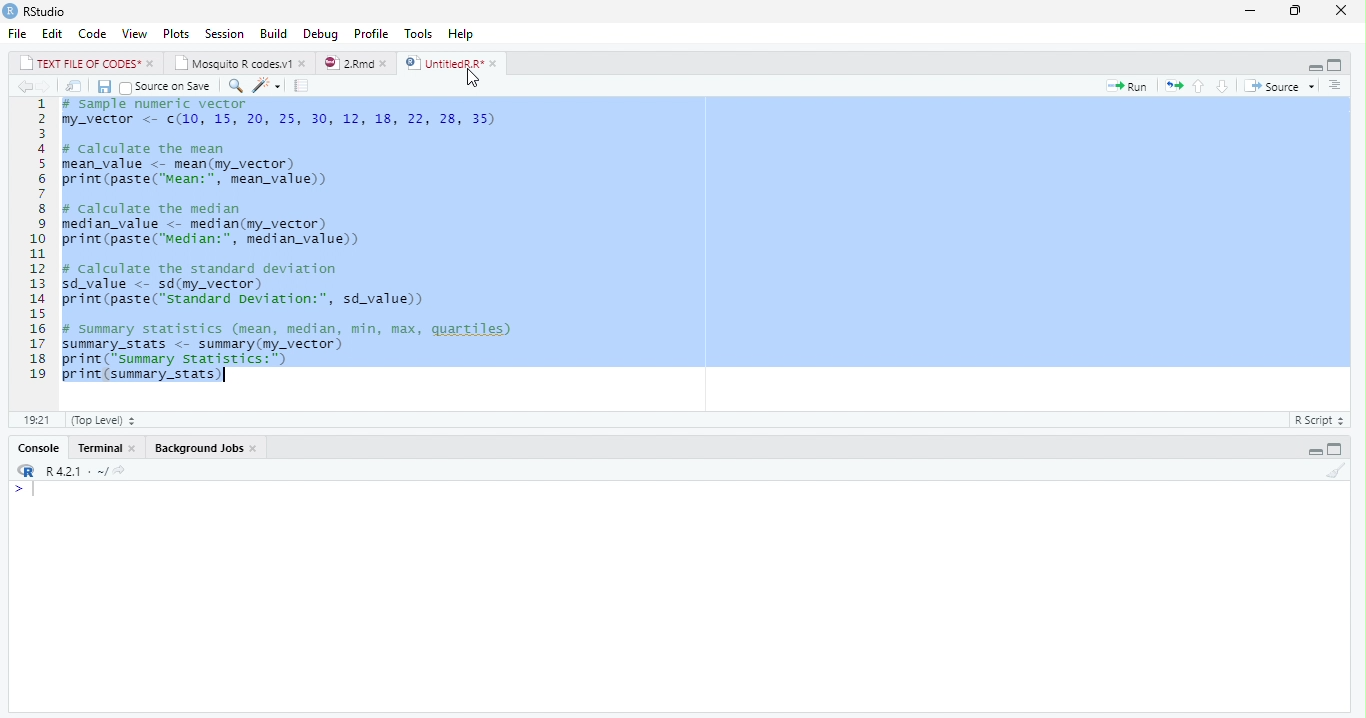  Describe the element at coordinates (479, 81) in the screenshot. I see `cursor` at that location.